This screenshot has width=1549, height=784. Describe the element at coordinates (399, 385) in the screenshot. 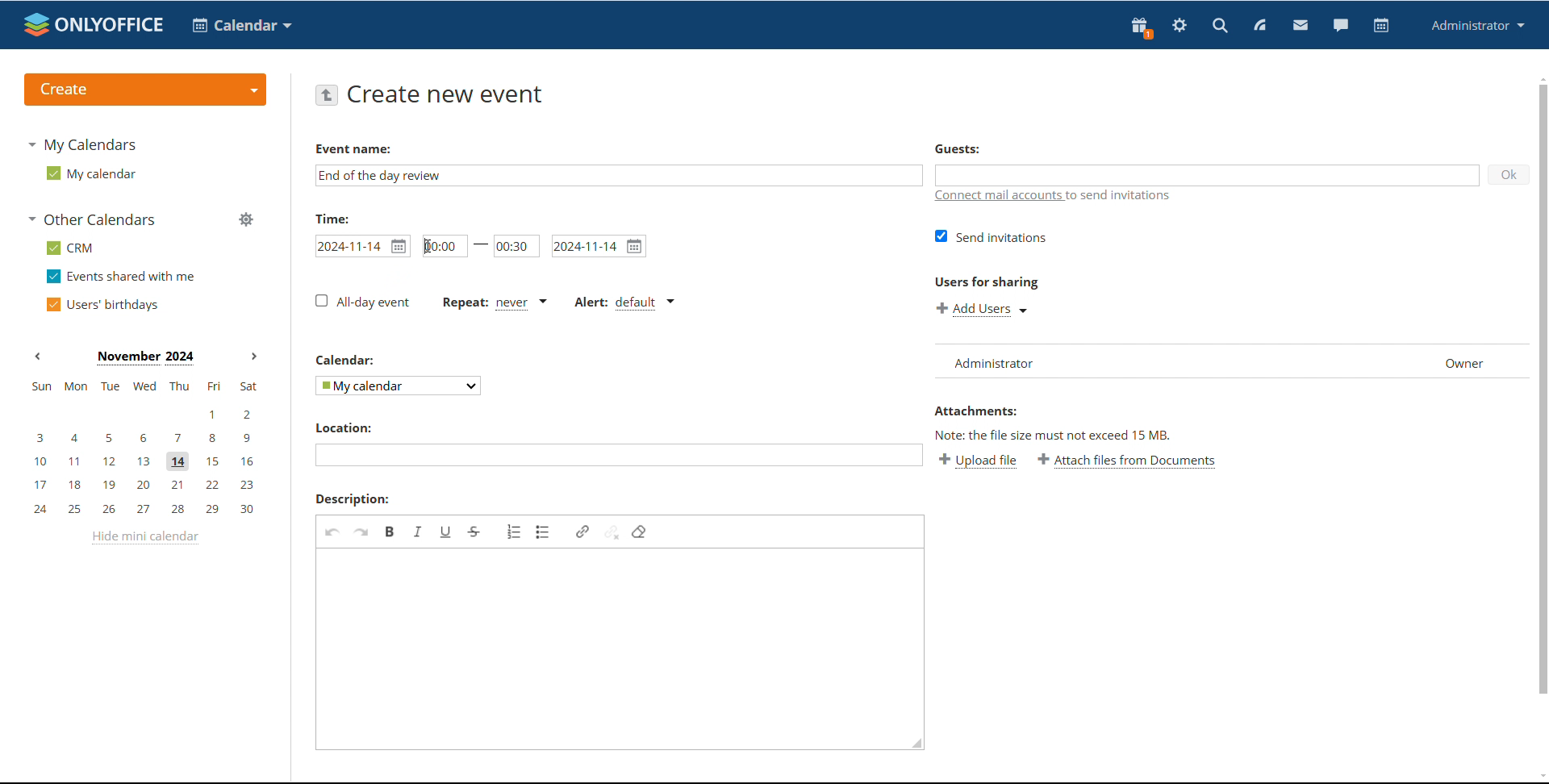

I see `select calendar` at that location.